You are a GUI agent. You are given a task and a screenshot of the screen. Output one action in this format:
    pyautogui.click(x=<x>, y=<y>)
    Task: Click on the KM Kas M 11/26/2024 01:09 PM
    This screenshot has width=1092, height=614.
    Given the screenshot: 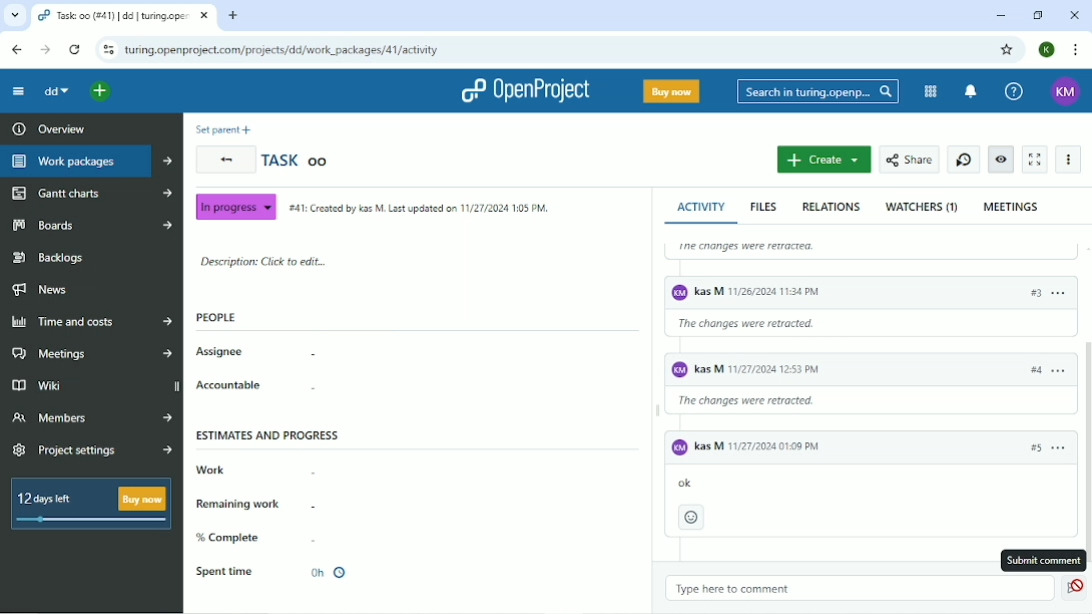 What is the action you would take?
    pyautogui.click(x=747, y=447)
    